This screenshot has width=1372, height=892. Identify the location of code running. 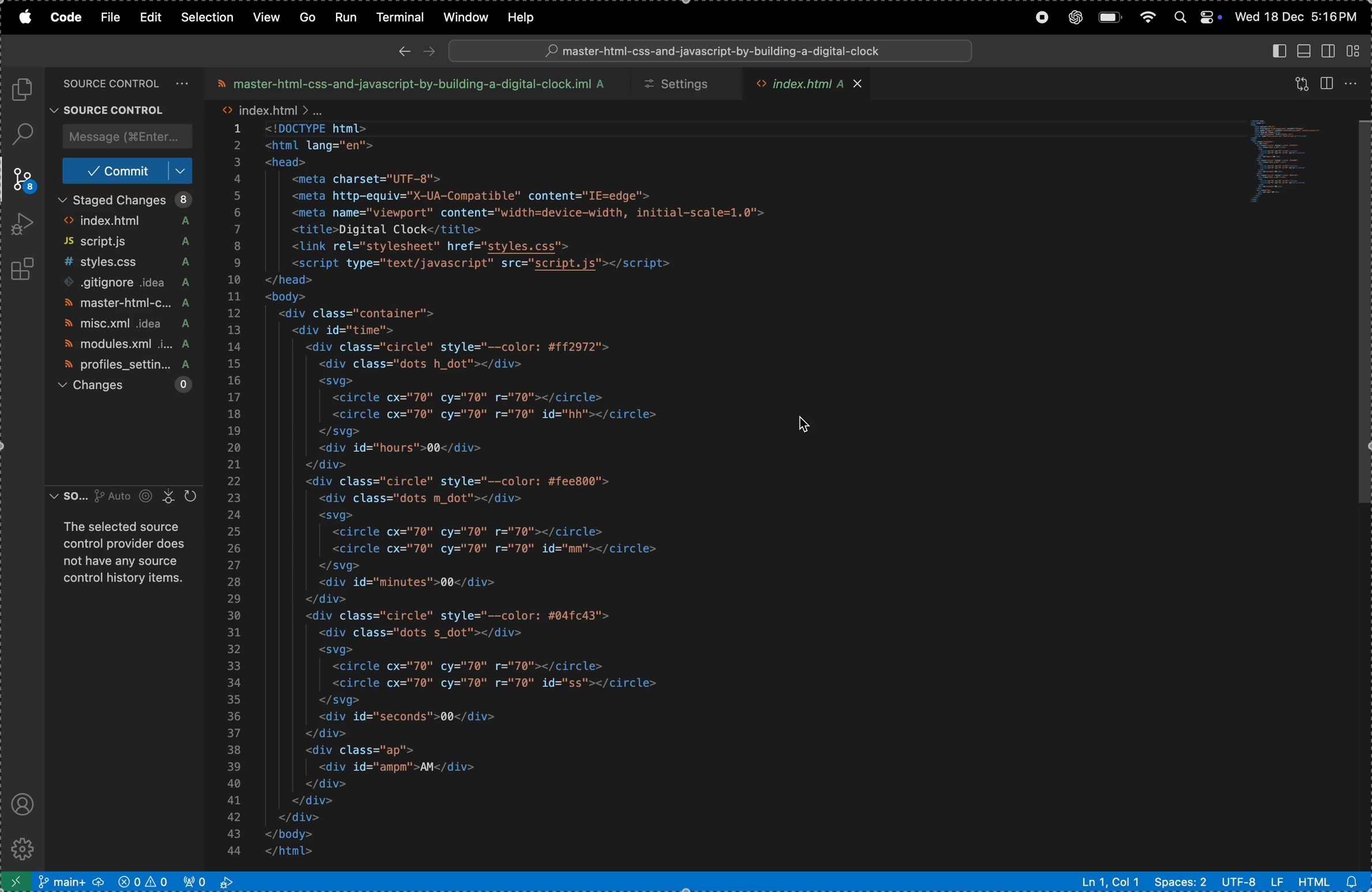
(214, 881).